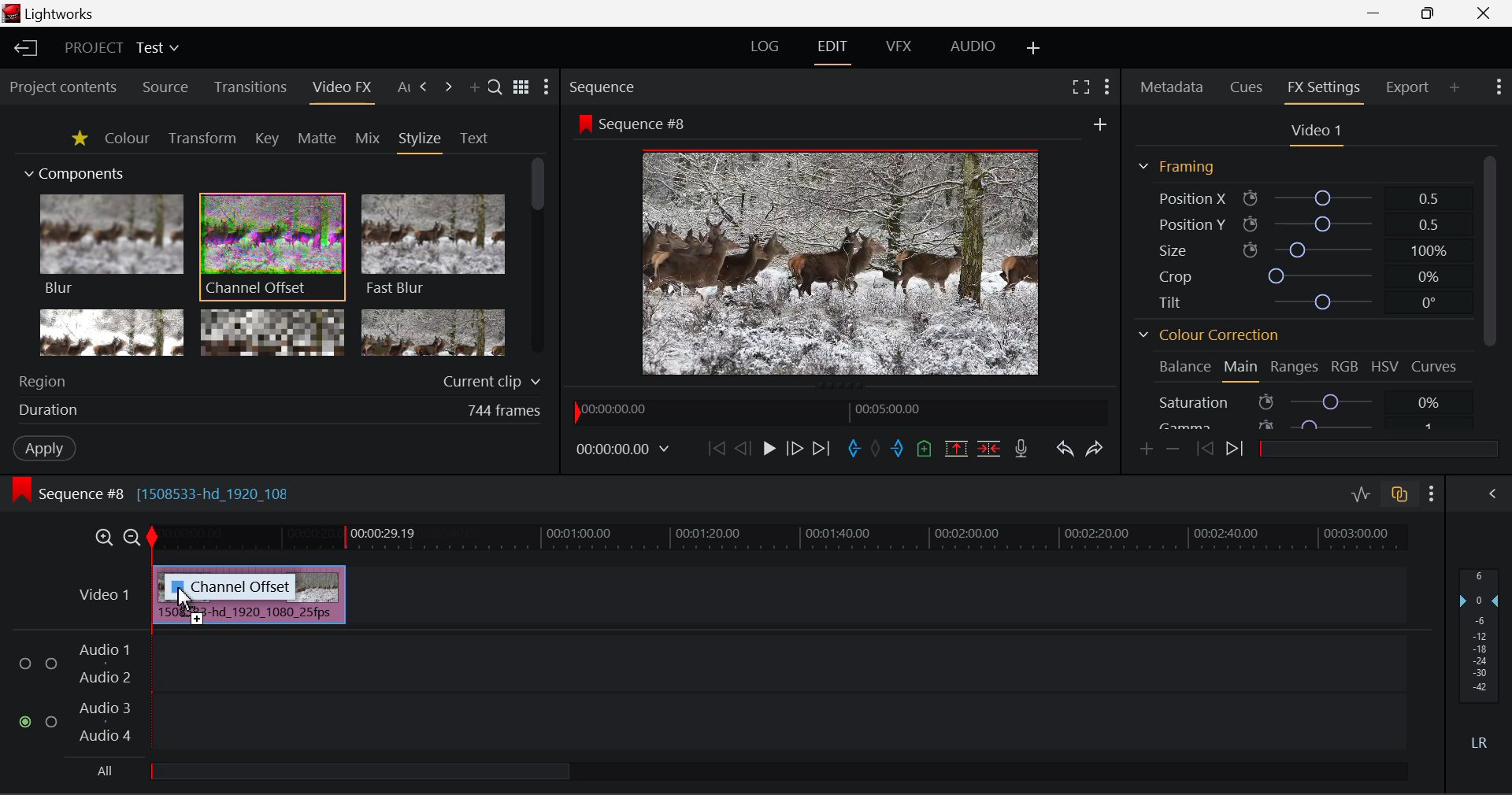 The height and width of the screenshot is (795, 1512). Describe the element at coordinates (1295, 367) in the screenshot. I see `Ranges` at that location.